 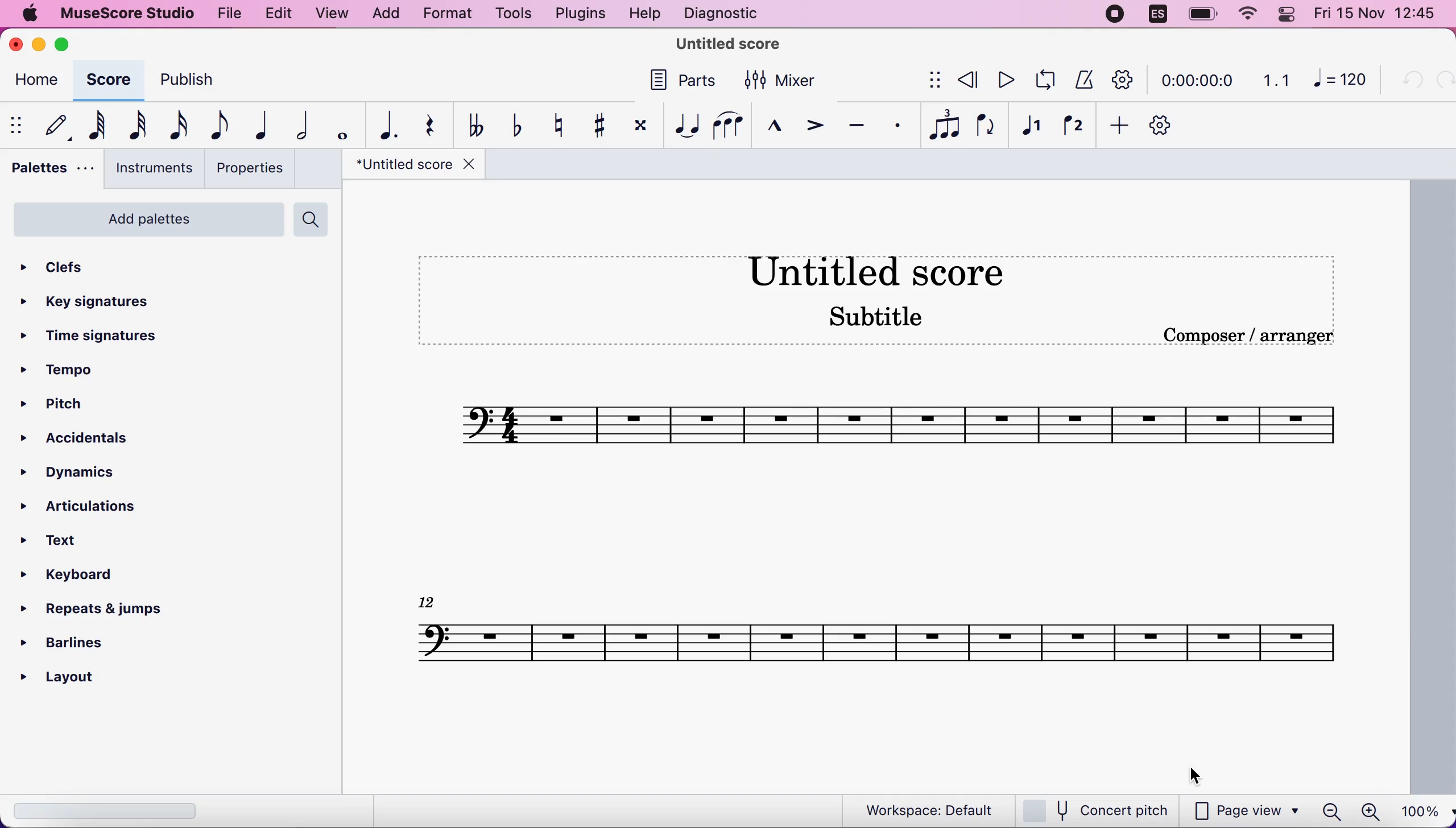 What do you see at coordinates (1368, 812) in the screenshot?
I see `zoom in` at bounding box center [1368, 812].